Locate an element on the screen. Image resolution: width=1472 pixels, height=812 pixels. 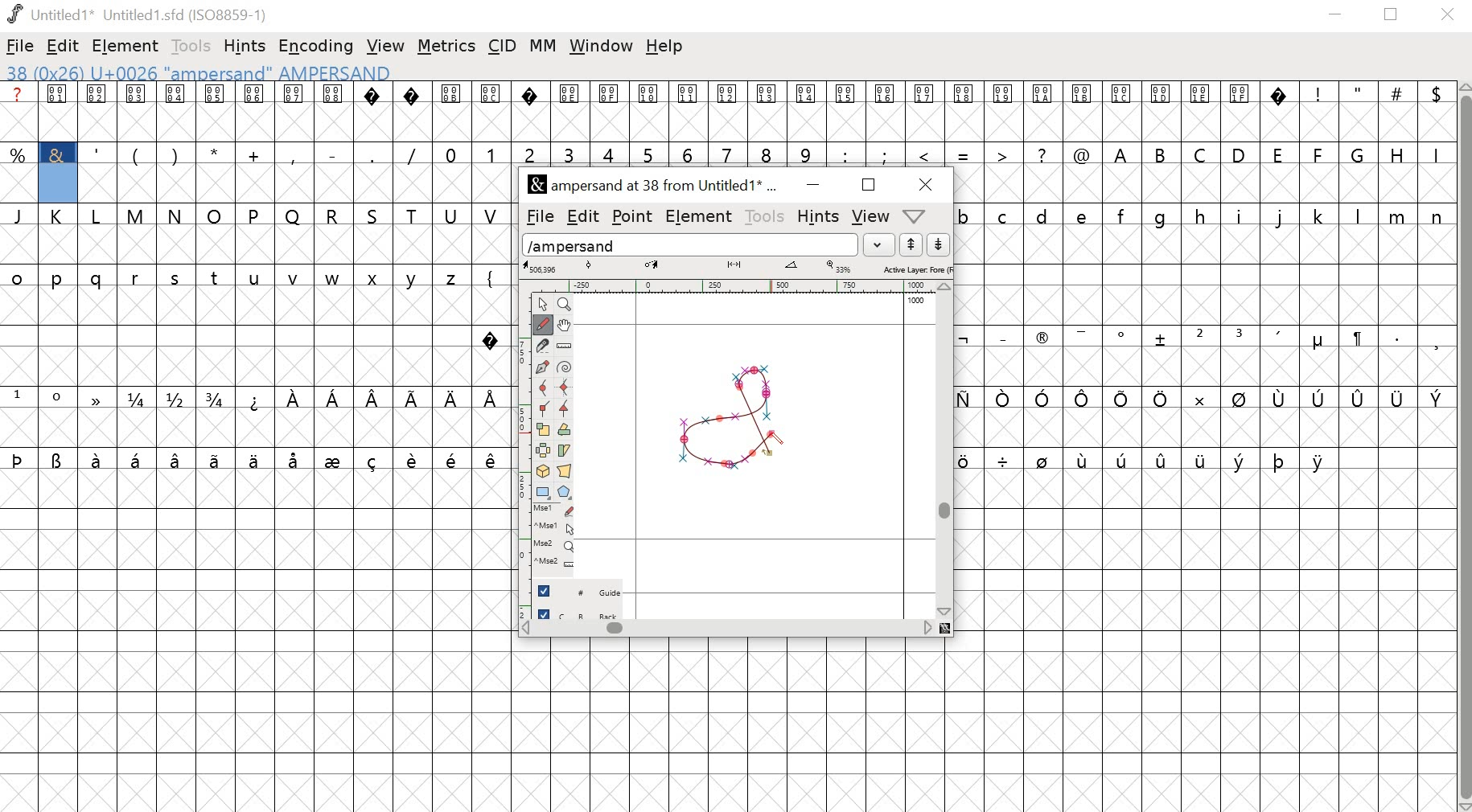
< is located at coordinates (927, 154).